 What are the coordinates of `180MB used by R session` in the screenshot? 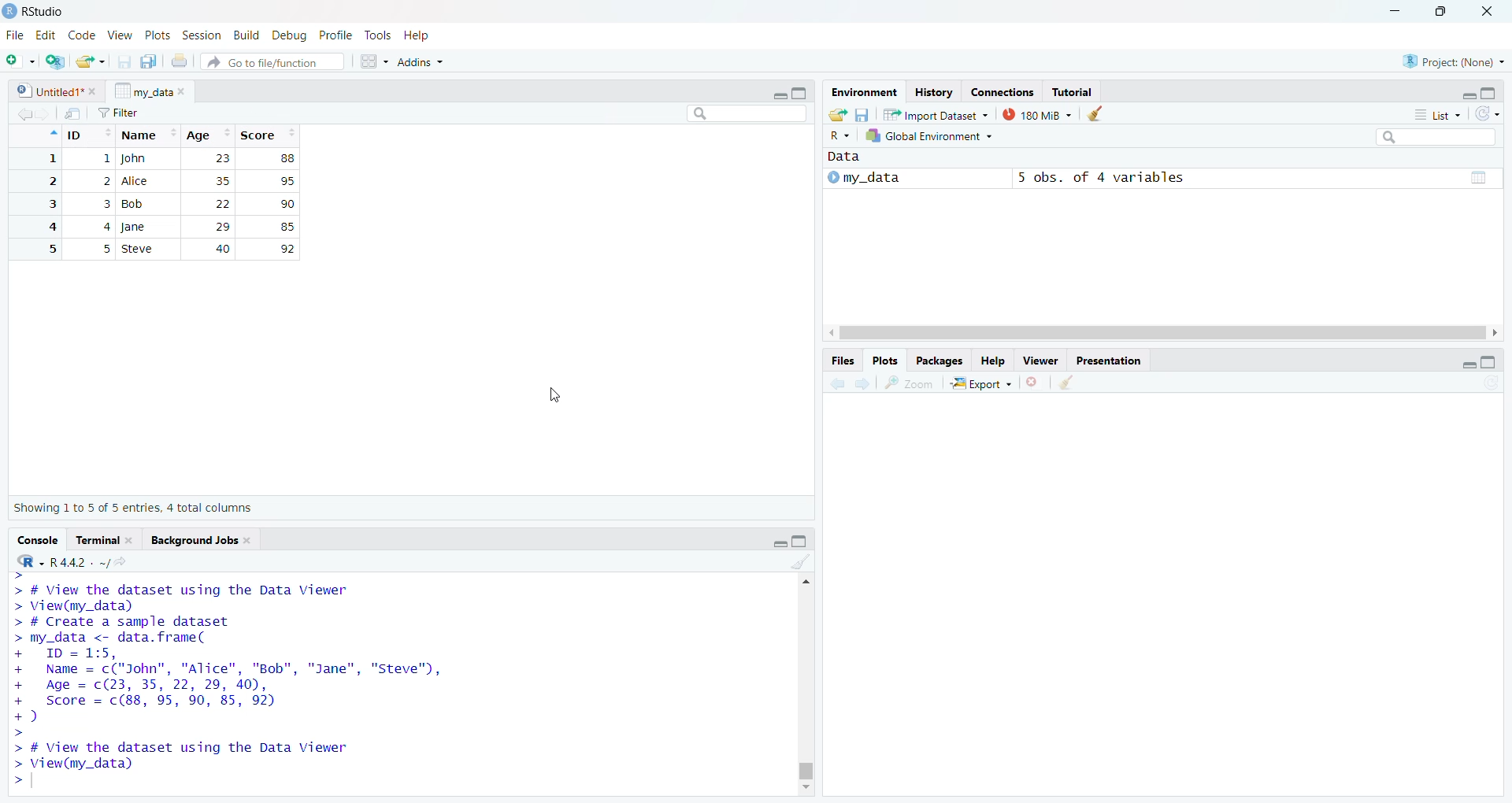 It's located at (1035, 115).